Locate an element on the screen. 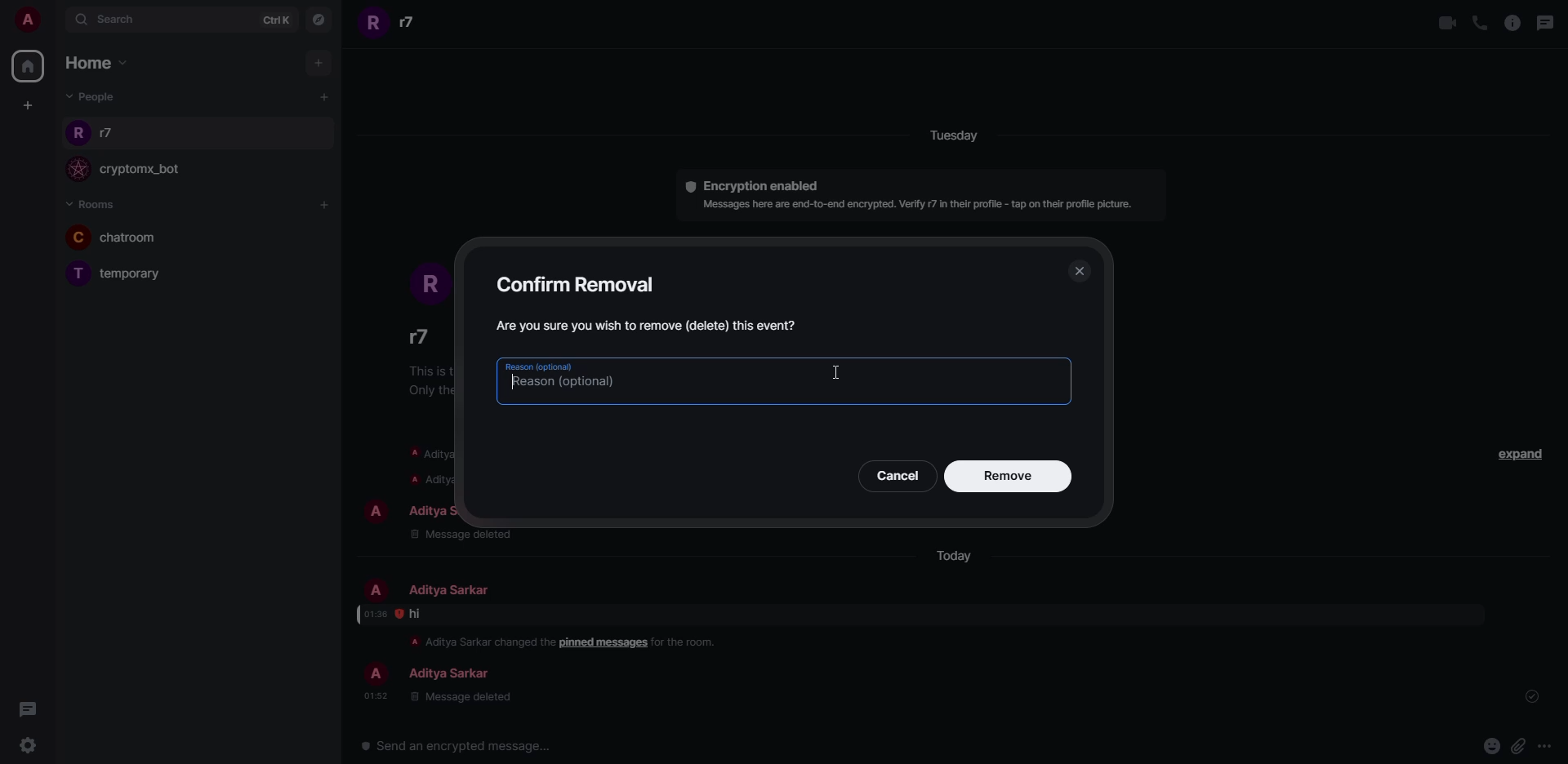 This screenshot has width=1568, height=764. confirm message is located at coordinates (651, 325).